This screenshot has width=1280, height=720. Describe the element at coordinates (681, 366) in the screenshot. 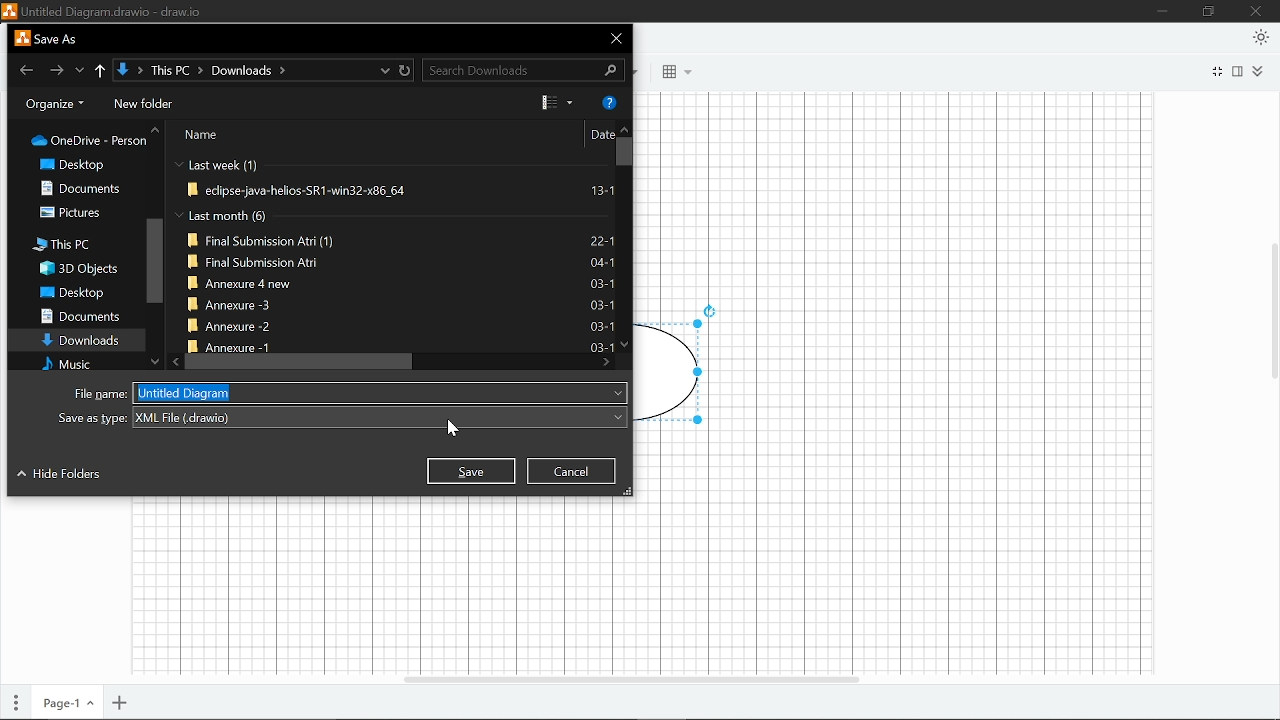

I see `Shape drawn` at that location.